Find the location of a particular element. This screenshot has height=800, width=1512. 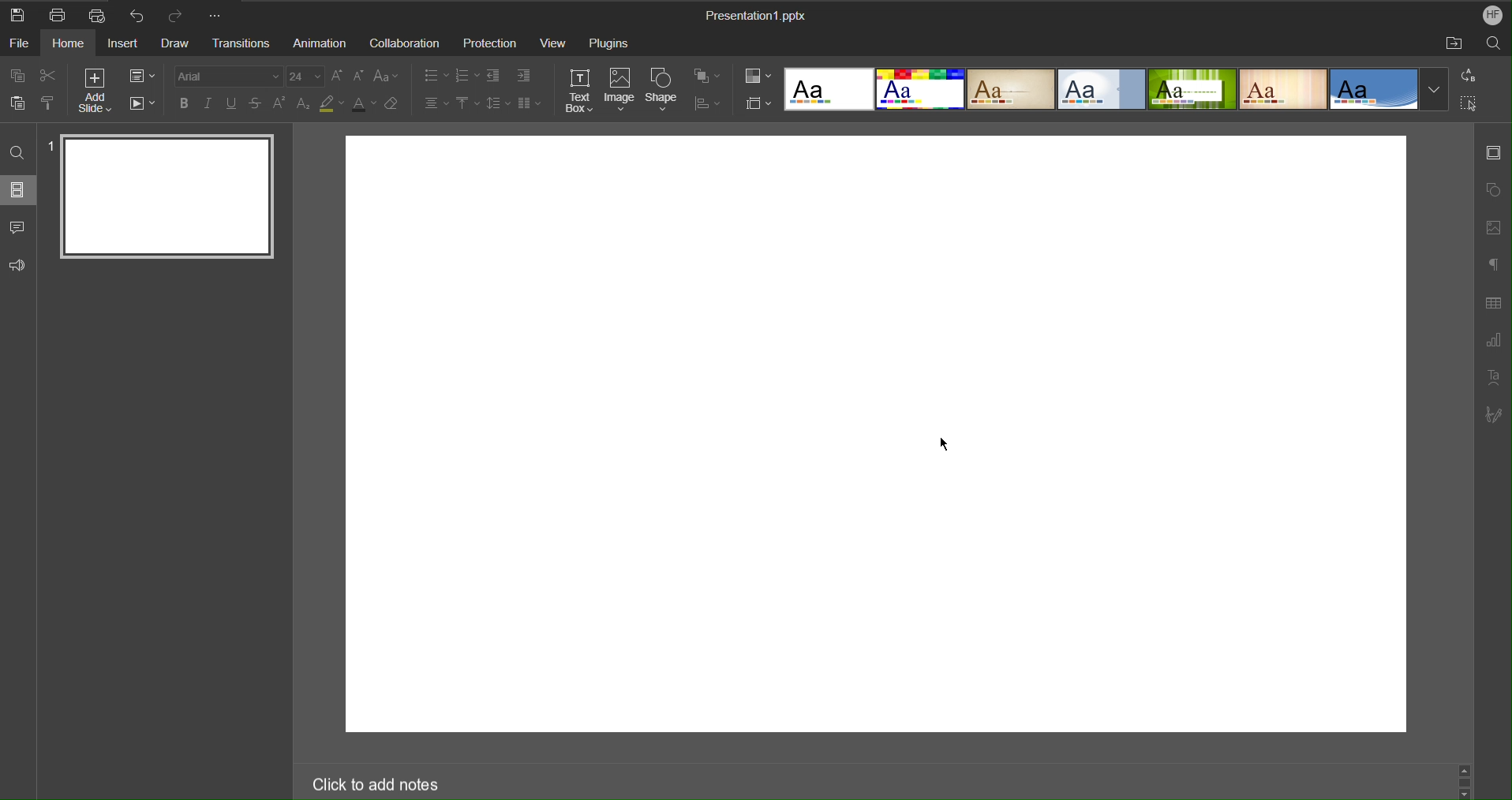

Home is located at coordinates (69, 43).